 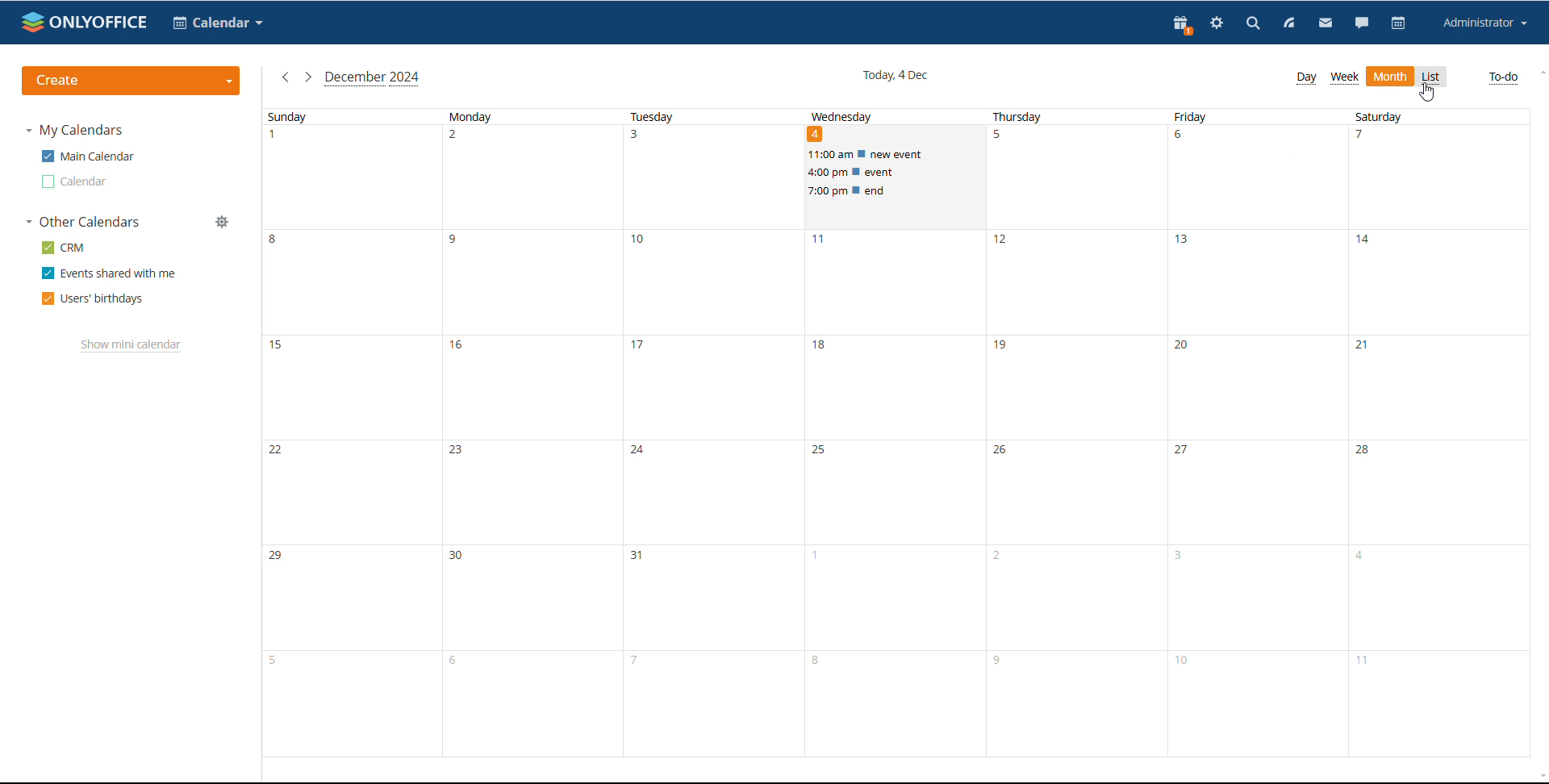 What do you see at coordinates (74, 131) in the screenshot?
I see `my calendar` at bounding box center [74, 131].